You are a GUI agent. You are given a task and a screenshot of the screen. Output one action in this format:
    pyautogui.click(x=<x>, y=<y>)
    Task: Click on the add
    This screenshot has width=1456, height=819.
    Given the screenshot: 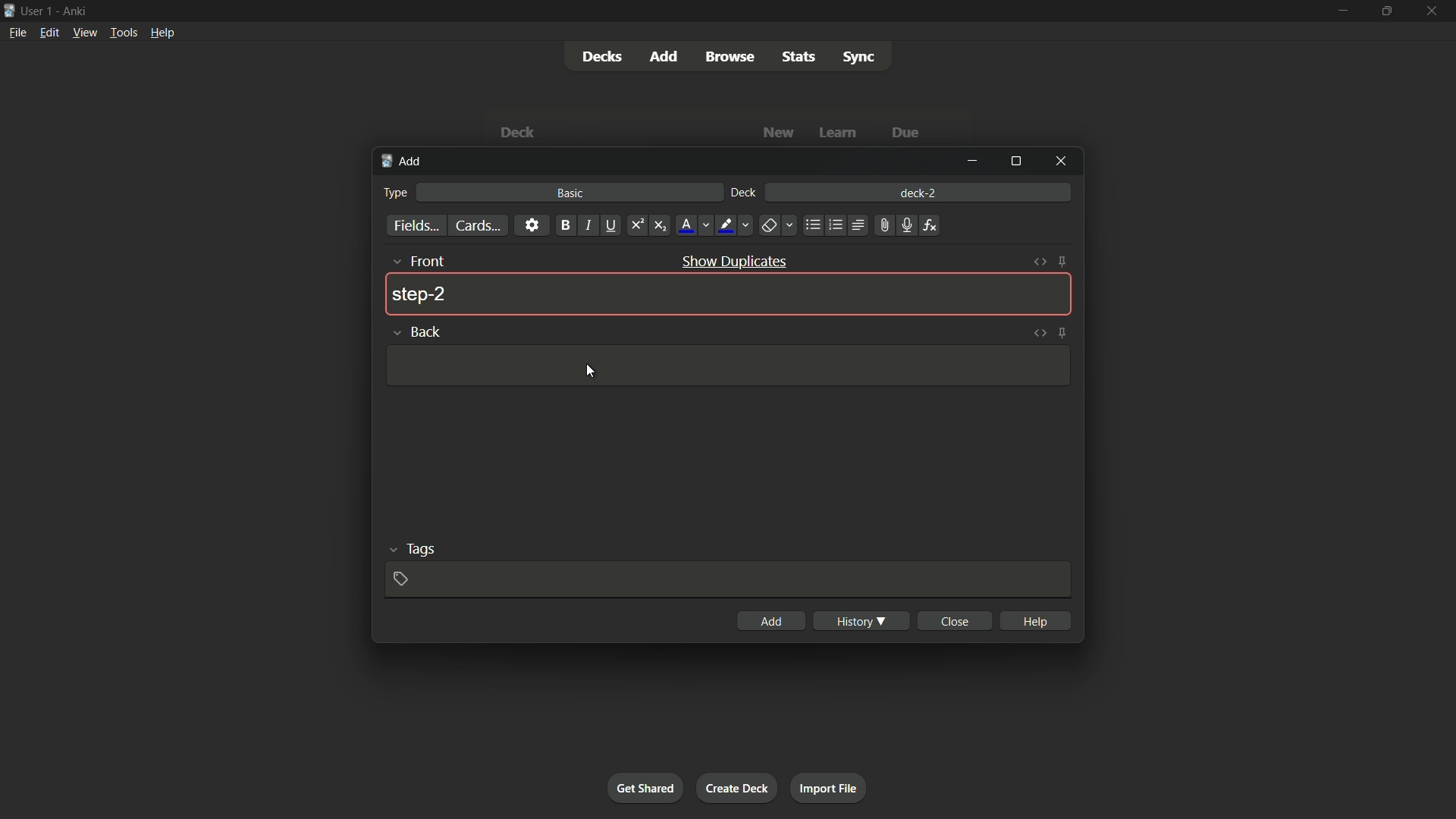 What is the action you would take?
    pyautogui.click(x=775, y=621)
    